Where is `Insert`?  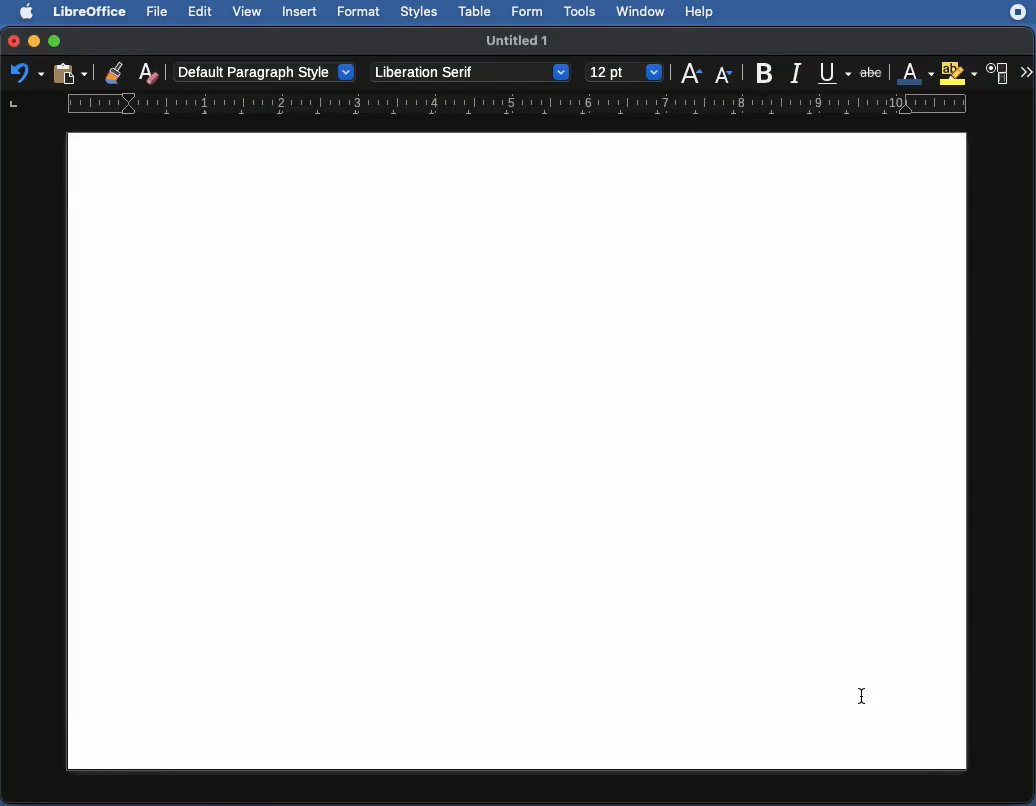
Insert is located at coordinates (300, 12).